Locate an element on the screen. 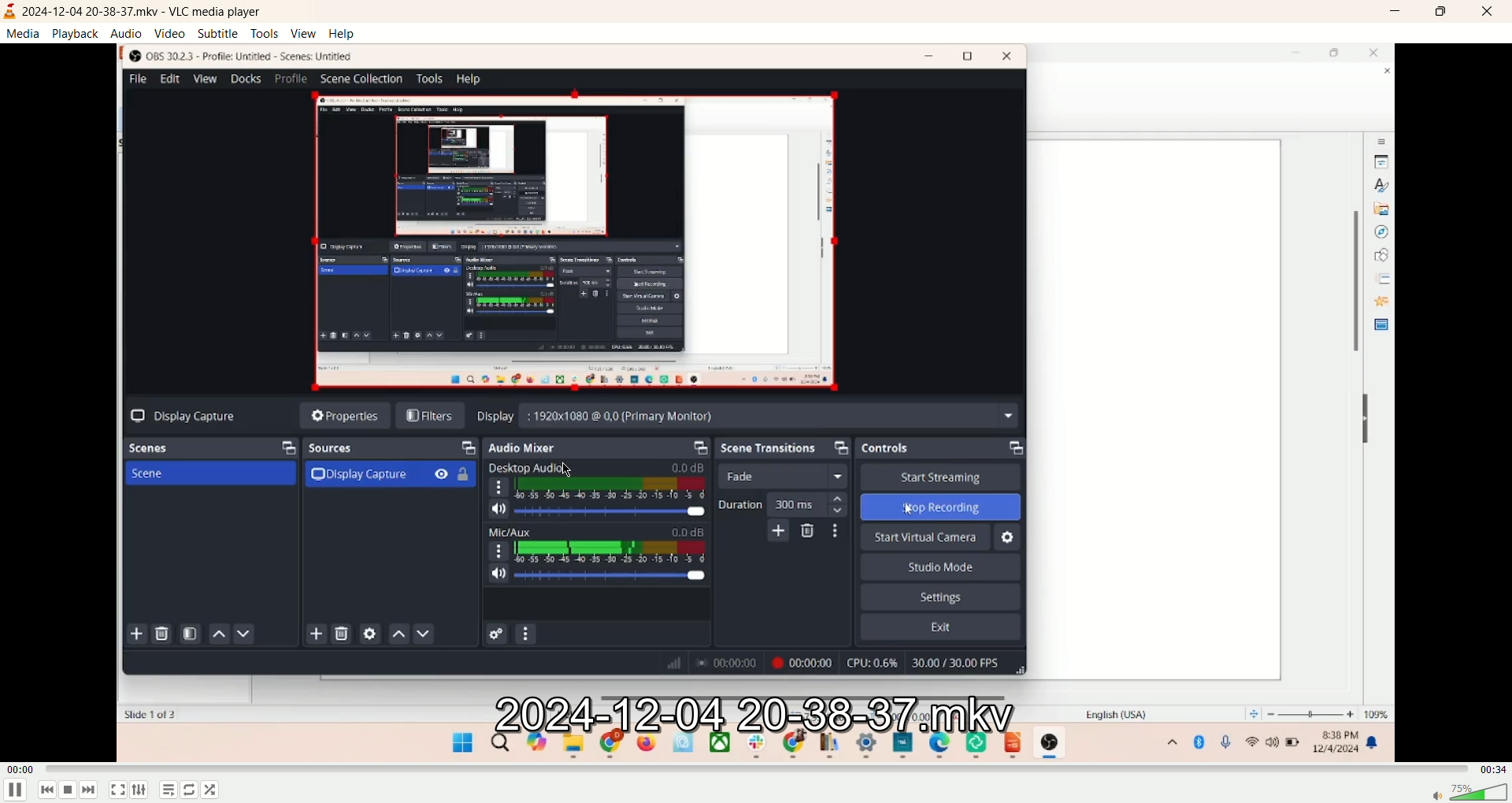  stop is located at coordinates (69, 790).